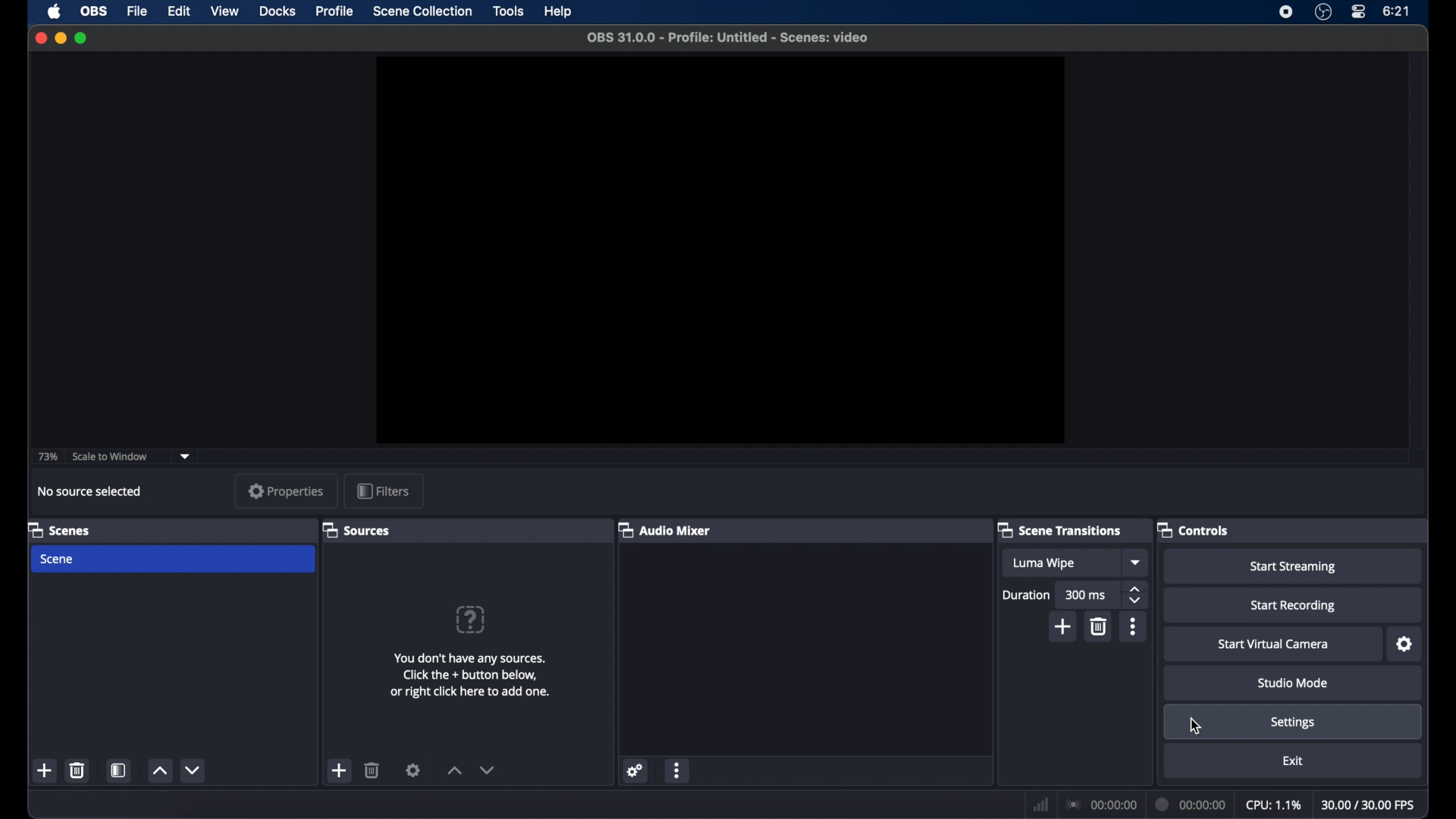  What do you see at coordinates (1405, 645) in the screenshot?
I see `settings` at bounding box center [1405, 645].